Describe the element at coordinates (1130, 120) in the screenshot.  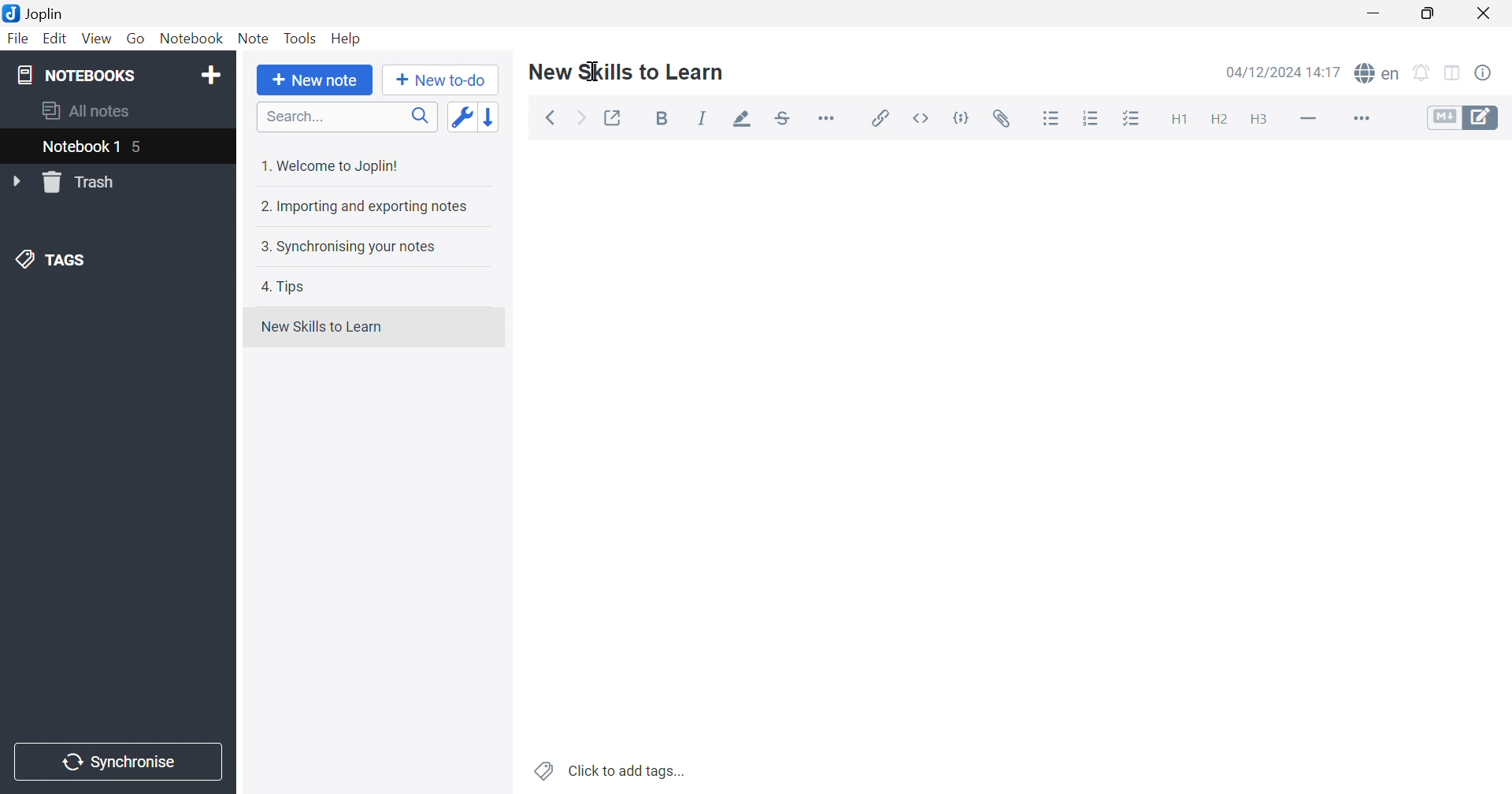
I see `Checkbox list` at that location.